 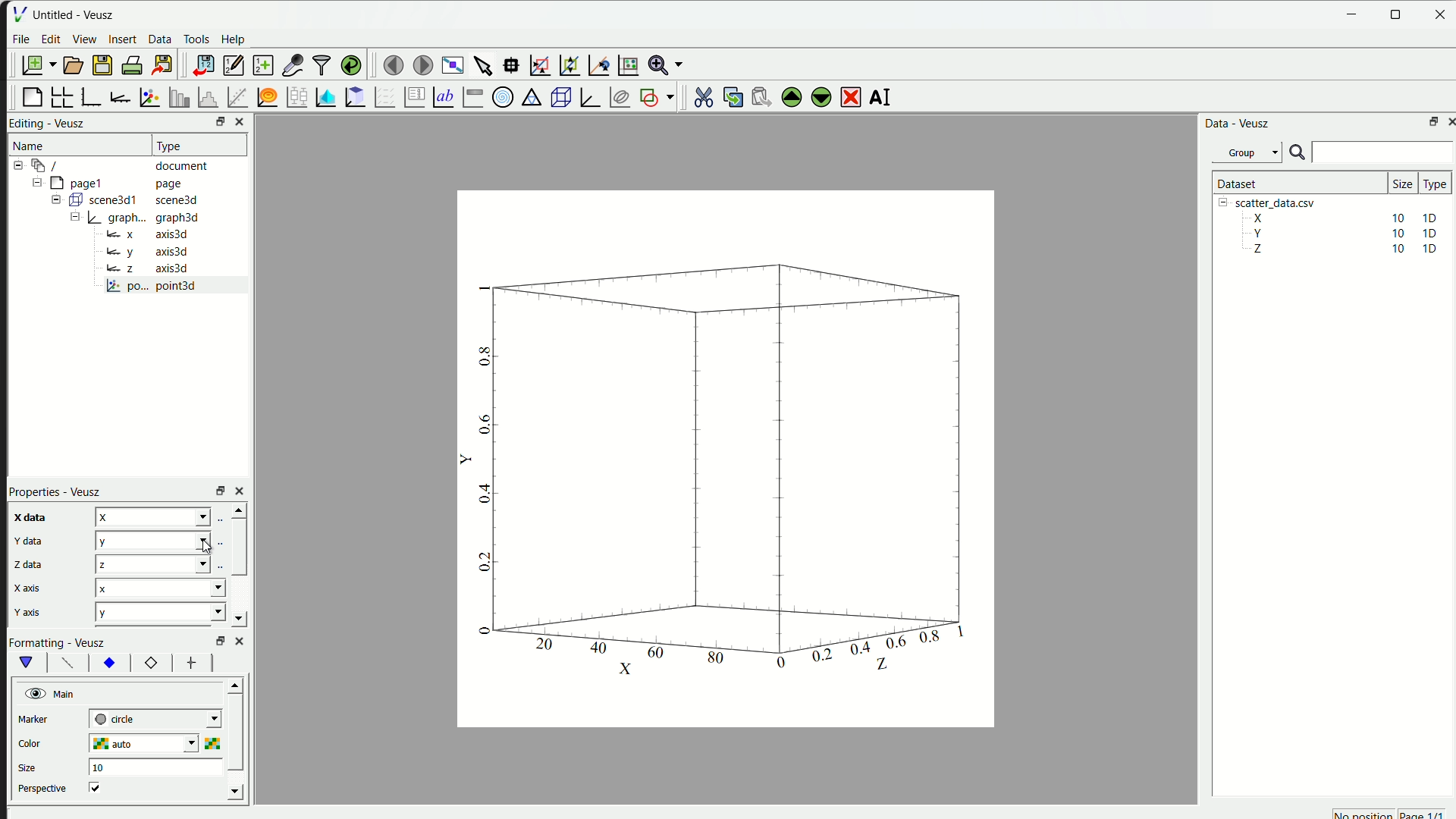 I want to click on rename the selected widget, so click(x=880, y=96).